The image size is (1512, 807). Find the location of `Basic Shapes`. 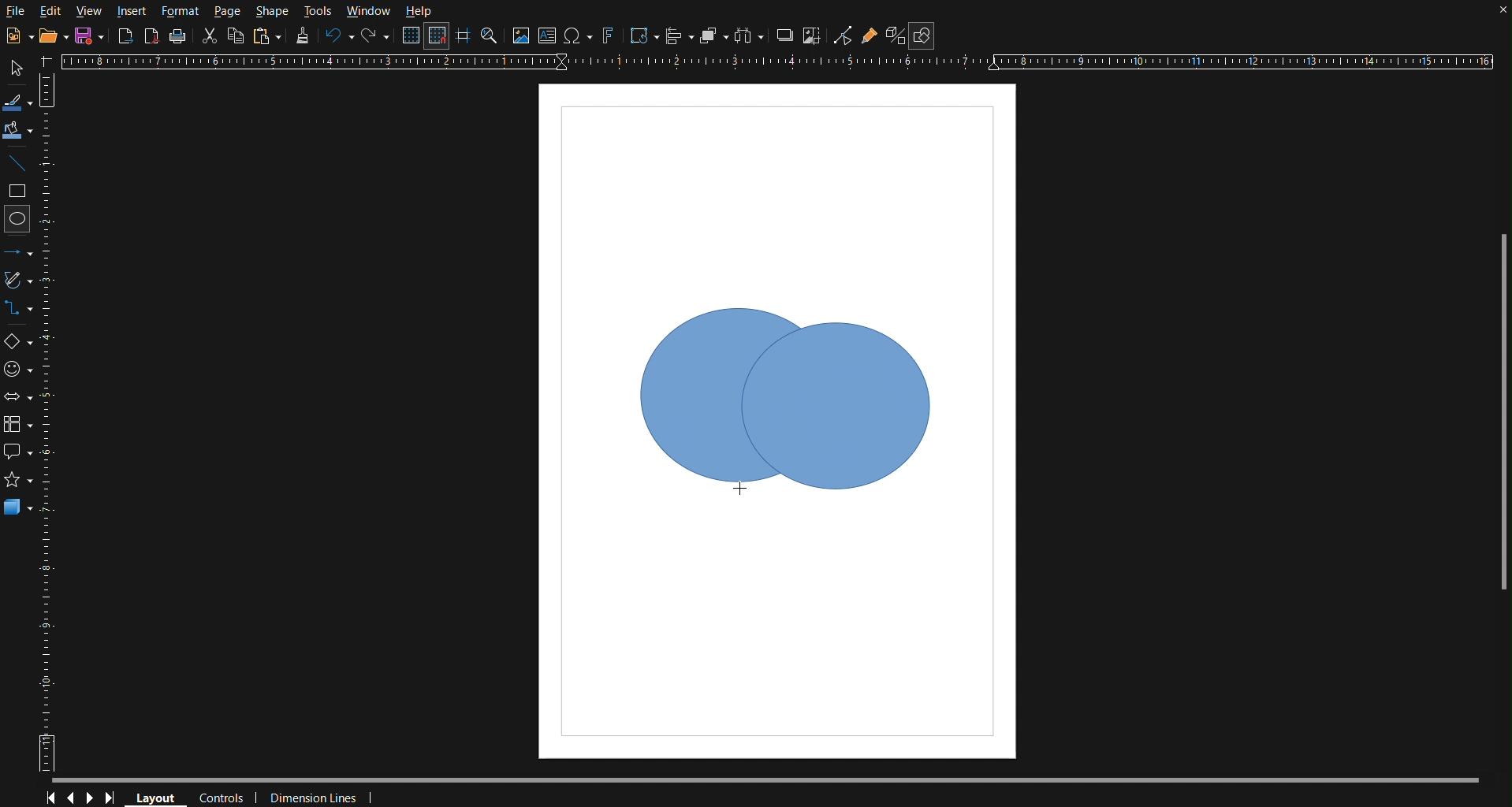

Basic Shapes is located at coordinates (17, 338).